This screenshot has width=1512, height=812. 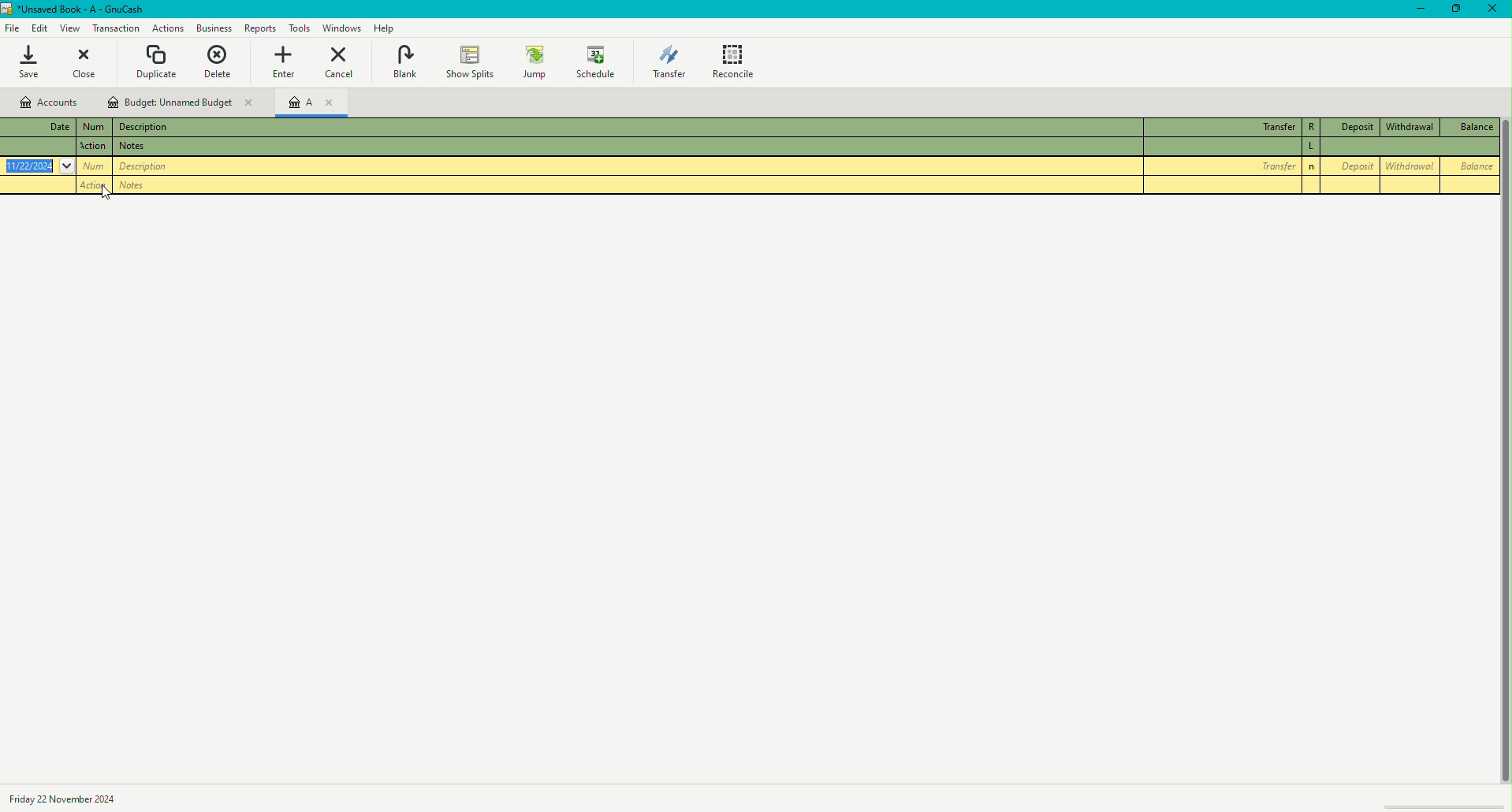 I want to click on Accounts, so click(x=50, y=102).